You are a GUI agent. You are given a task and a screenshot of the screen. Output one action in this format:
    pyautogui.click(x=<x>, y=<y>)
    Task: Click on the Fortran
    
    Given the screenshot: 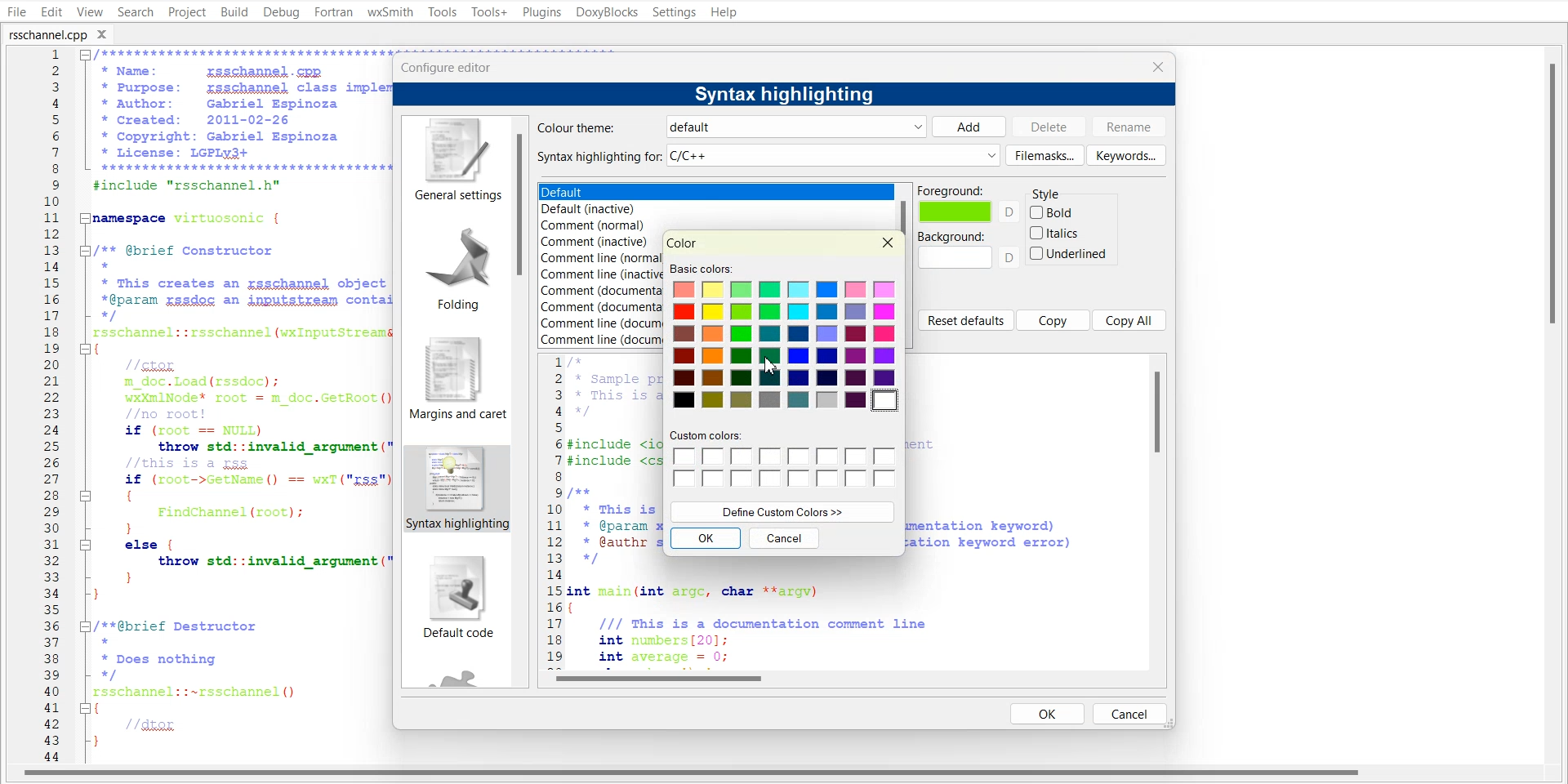 What is the action you would take?
    pyautogui.click(x=333, y=12)
    